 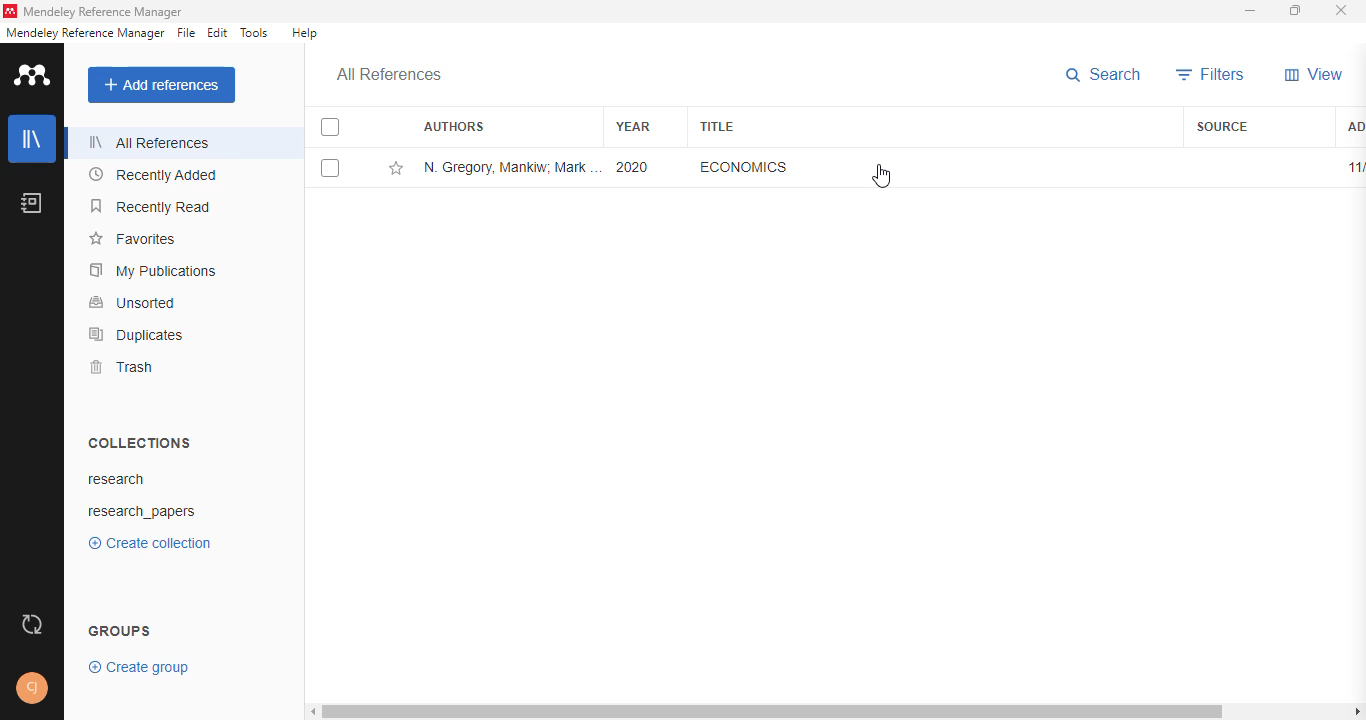 I want to click on file, so click(x=187, y=33).